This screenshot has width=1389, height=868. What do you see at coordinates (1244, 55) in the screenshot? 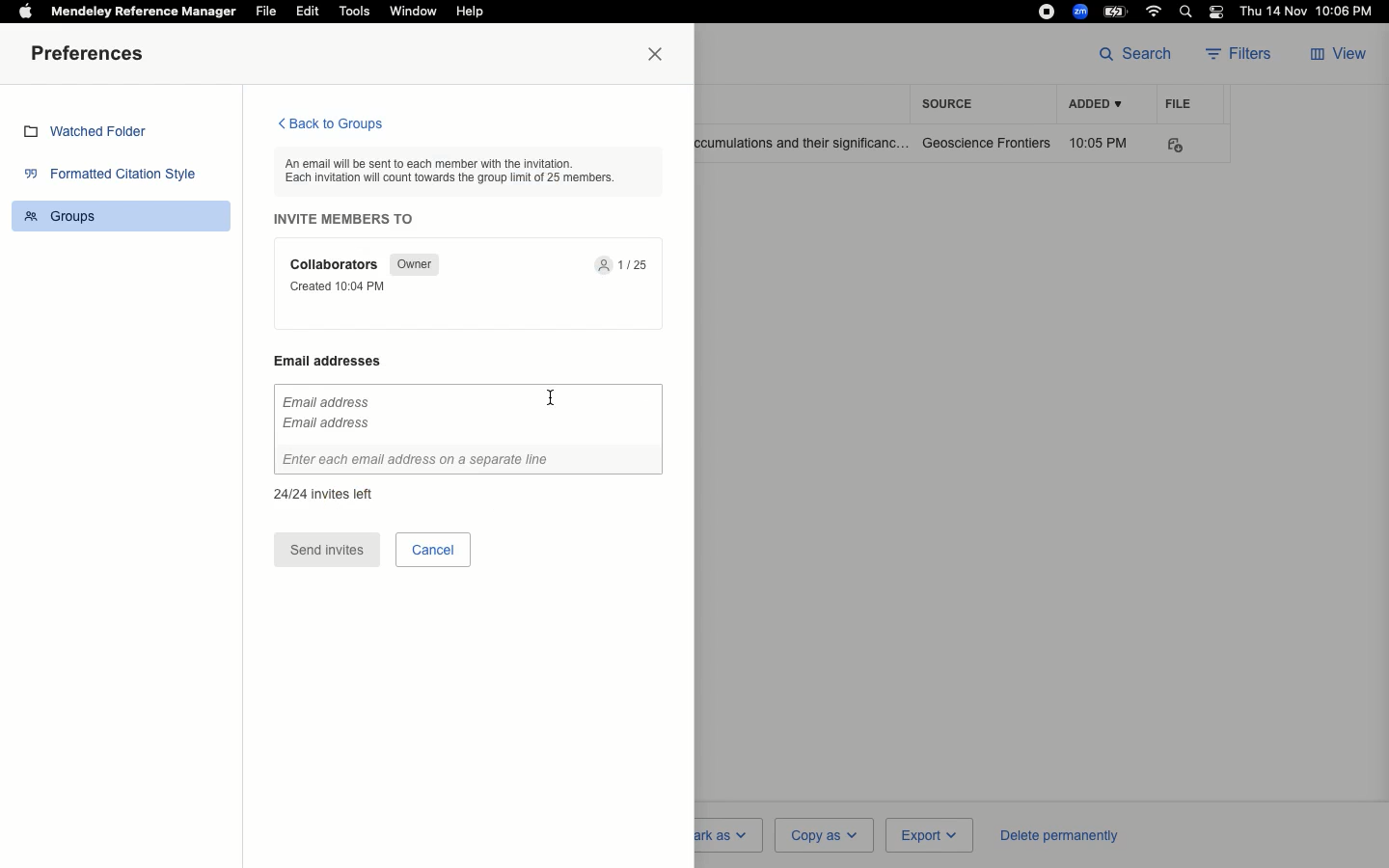
I see `Filters` at bounding box center [1244, 55].